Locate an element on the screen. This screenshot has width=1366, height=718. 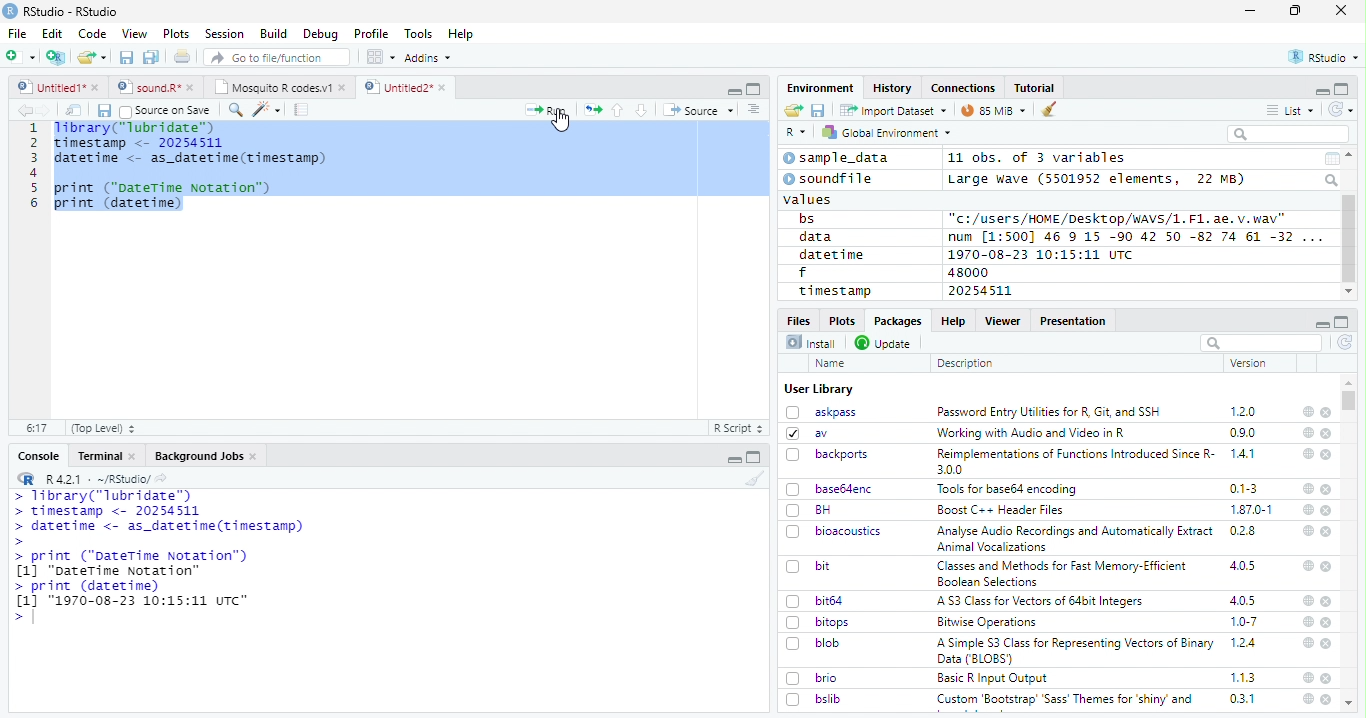
help is located at coordinates (1307, 565).